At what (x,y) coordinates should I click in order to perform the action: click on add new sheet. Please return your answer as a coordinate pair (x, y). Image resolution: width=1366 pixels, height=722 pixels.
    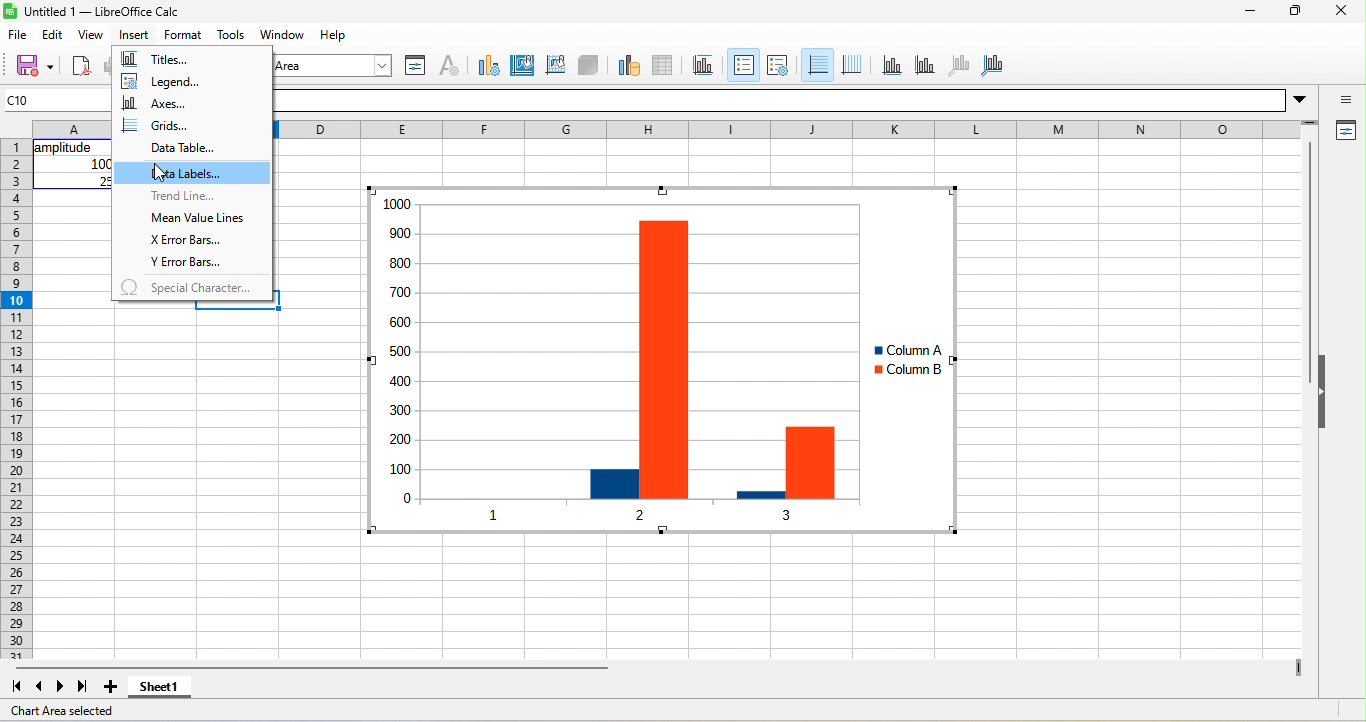
    Looking at the image, I should click on (111, 687).